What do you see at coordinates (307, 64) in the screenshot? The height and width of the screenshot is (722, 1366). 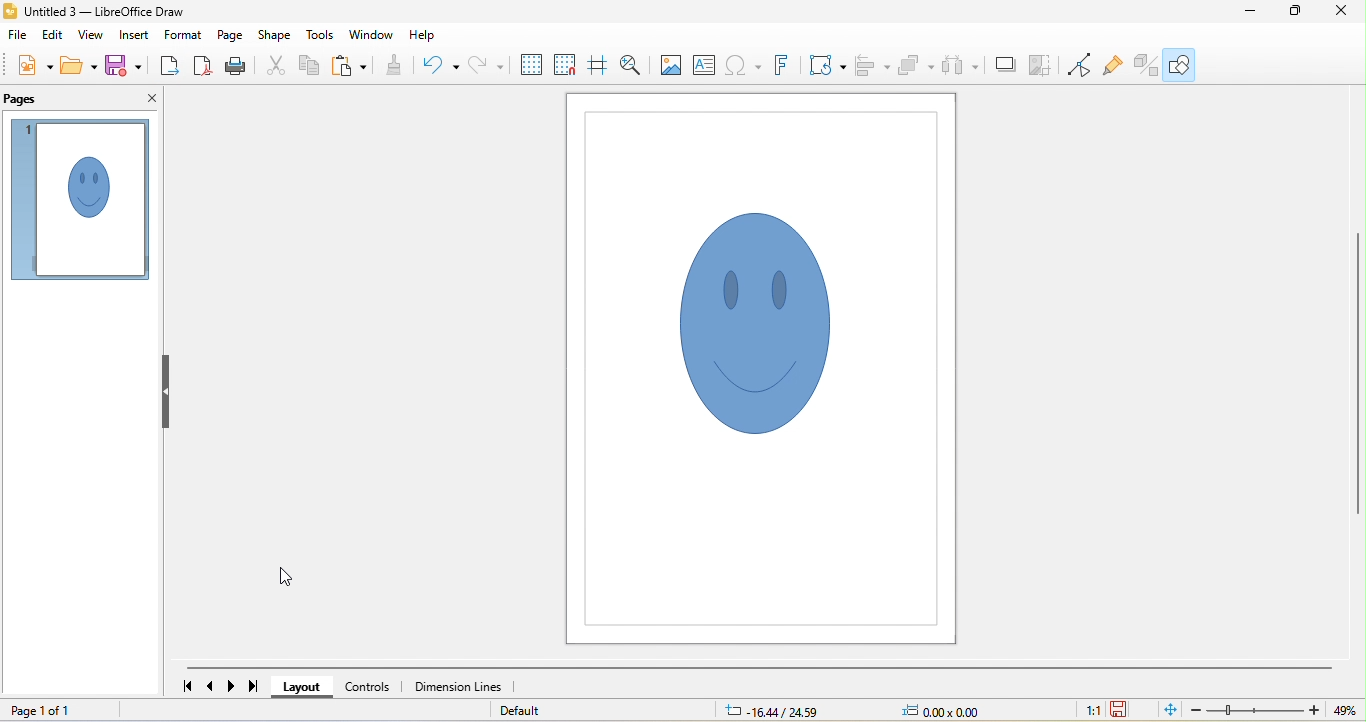 I see `copy` at bounding box center [307, 64].